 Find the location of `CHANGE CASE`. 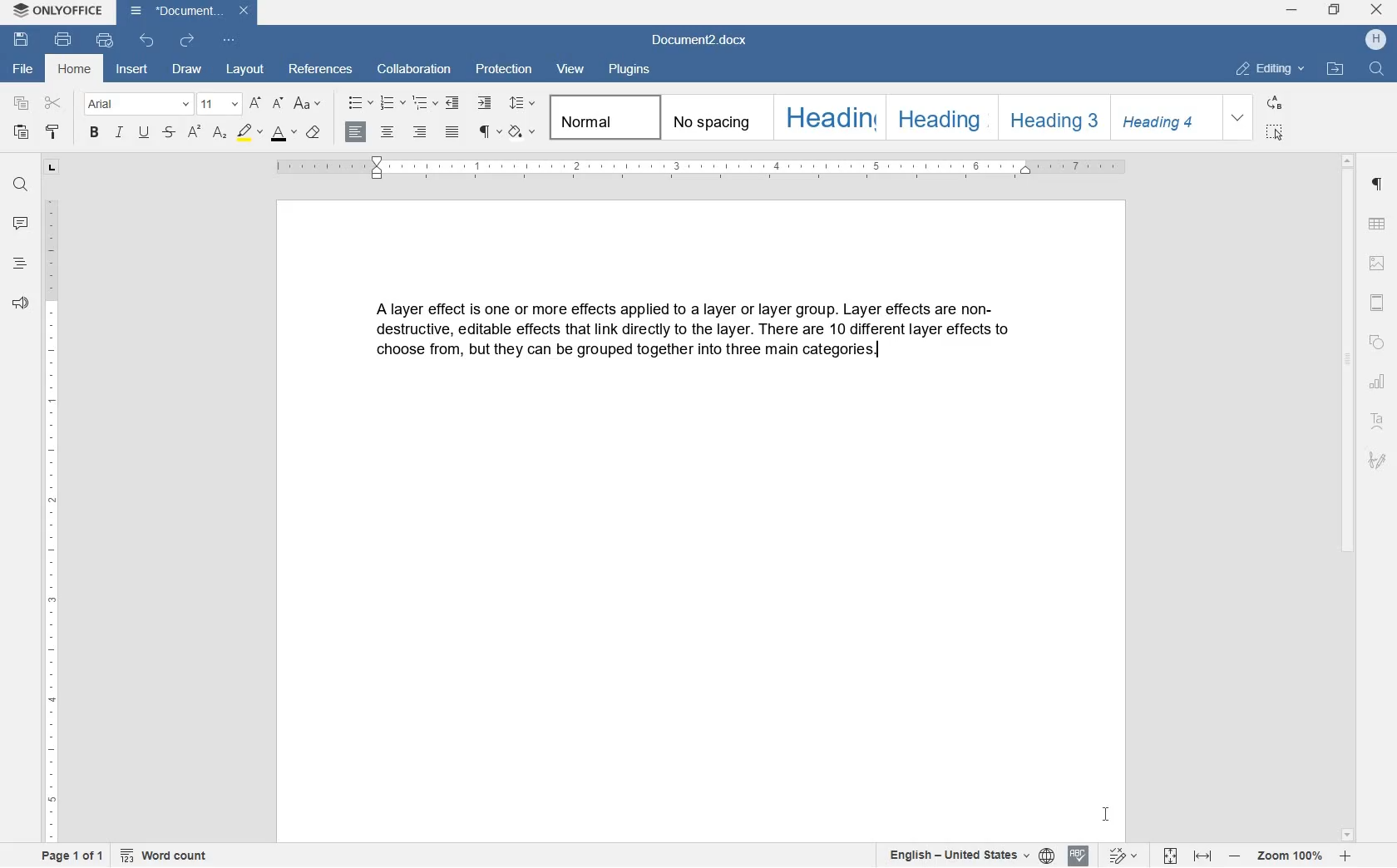

CHANGE CASE is located at coordinates (309, 104).